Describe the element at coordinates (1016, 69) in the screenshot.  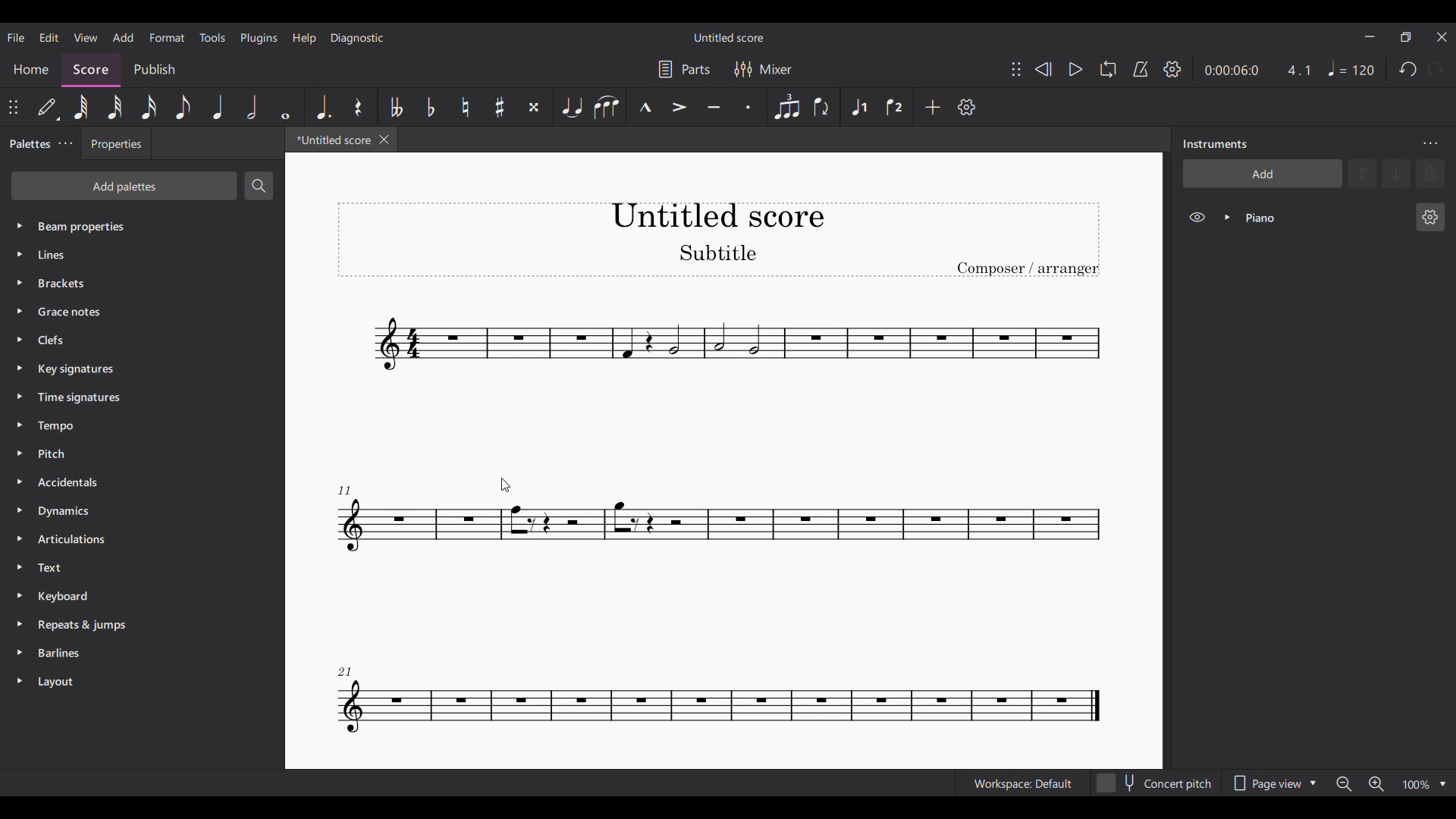
I see `Change position of toolbar` at that location.